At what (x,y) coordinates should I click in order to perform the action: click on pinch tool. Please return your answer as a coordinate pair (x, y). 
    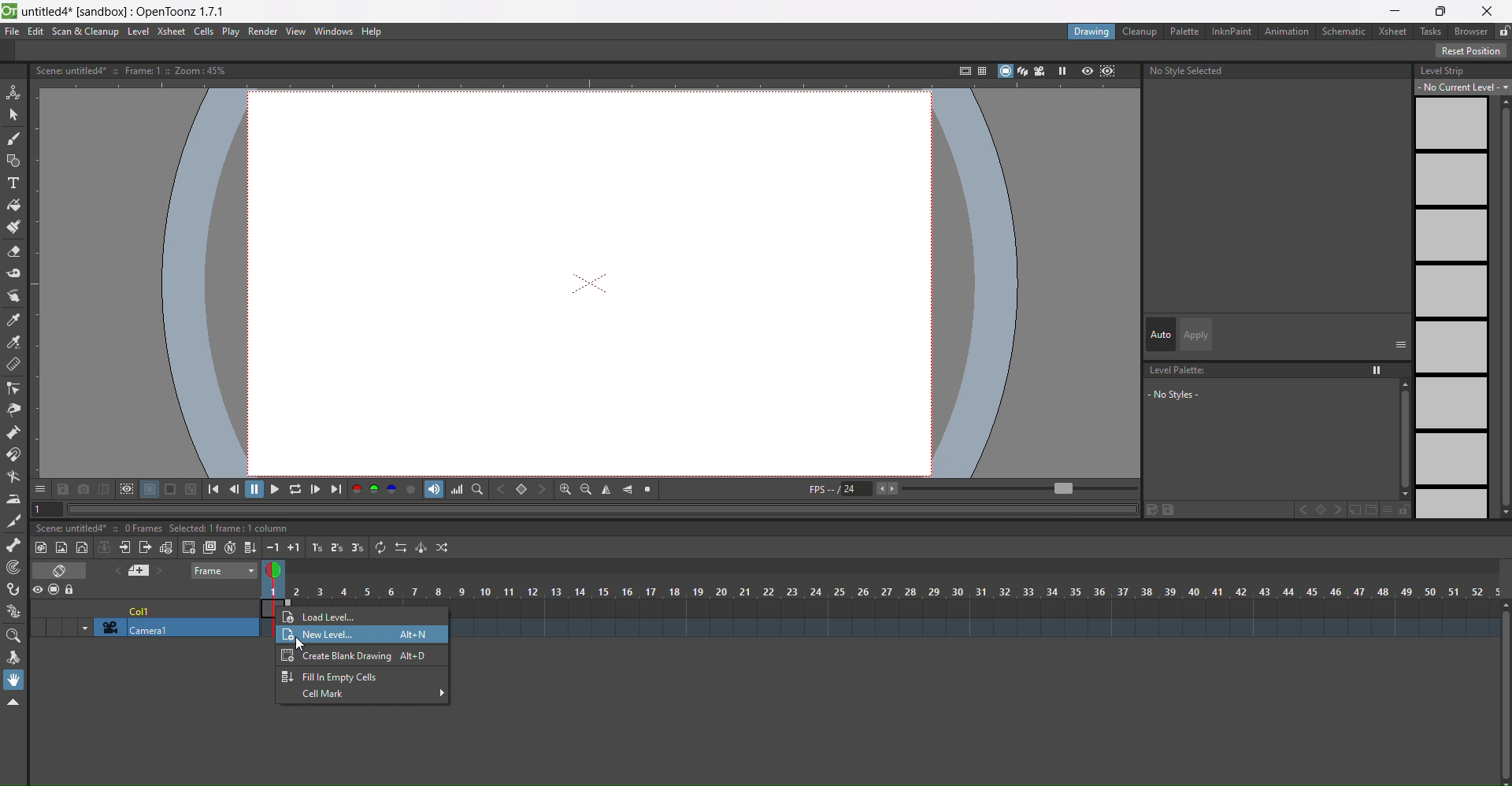
    Looking at the image, I should click on (13, 410).